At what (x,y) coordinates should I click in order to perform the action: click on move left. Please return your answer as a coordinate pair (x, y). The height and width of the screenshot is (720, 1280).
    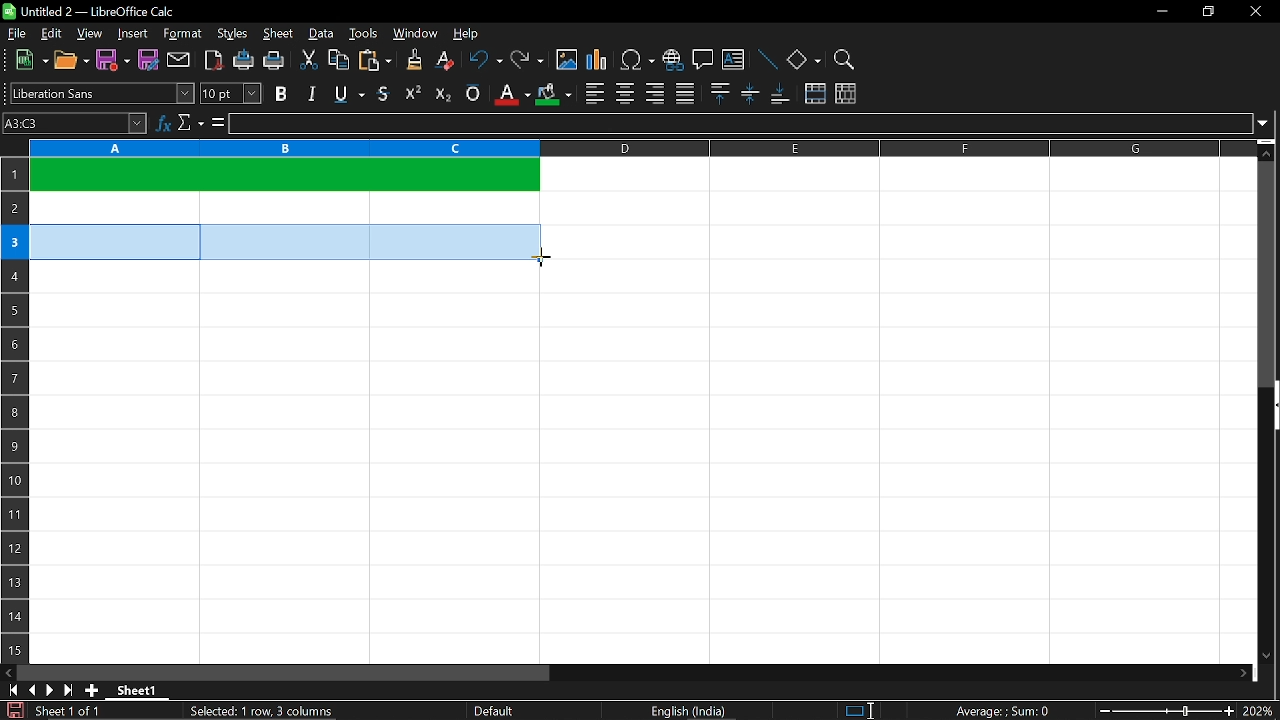
    Looking at the image, I should click on (8, 673).